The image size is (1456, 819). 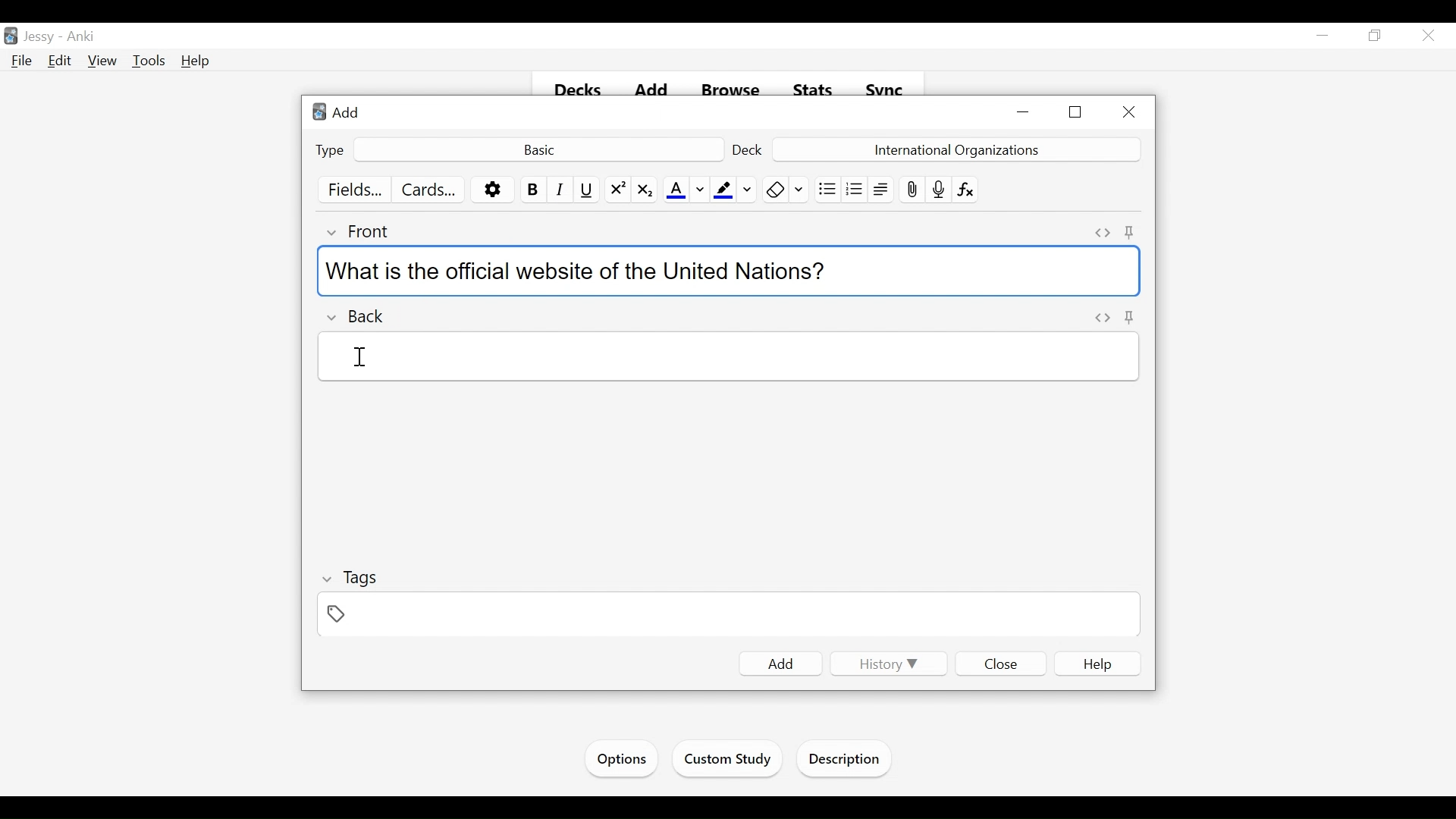 What do you see at coordinates (149, 61) in the screenshot?
I see `Tools` at bounding box center [149, 61].